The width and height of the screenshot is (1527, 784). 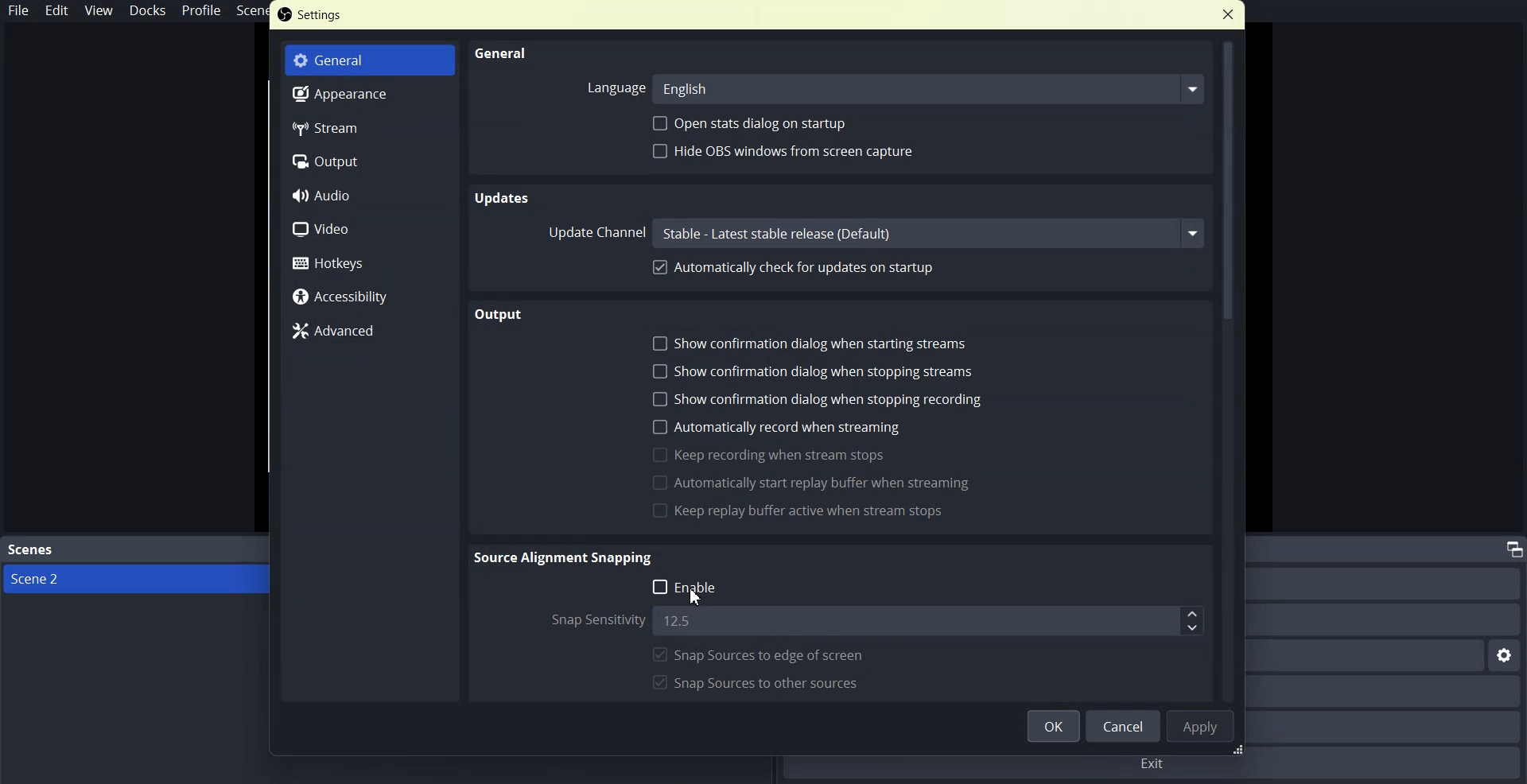 I want to click on Output, so click(x=369, y=160).